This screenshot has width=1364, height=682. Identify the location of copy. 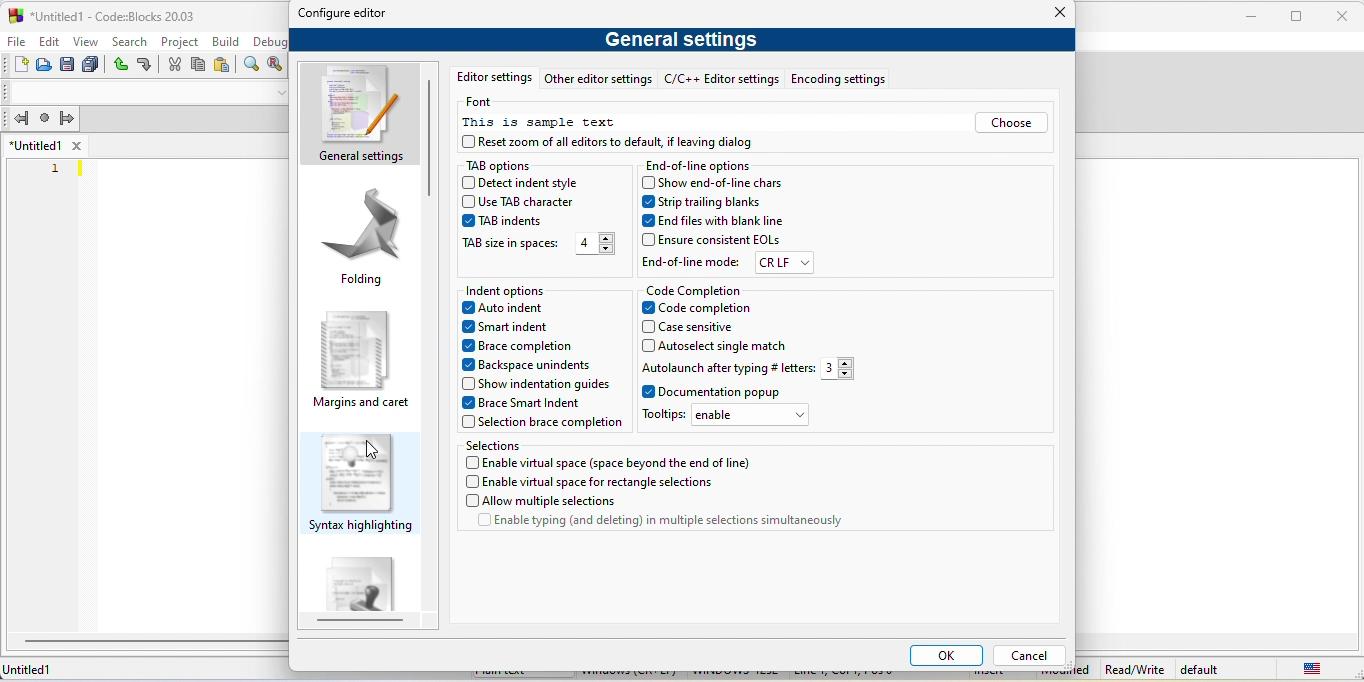
(198, 64).